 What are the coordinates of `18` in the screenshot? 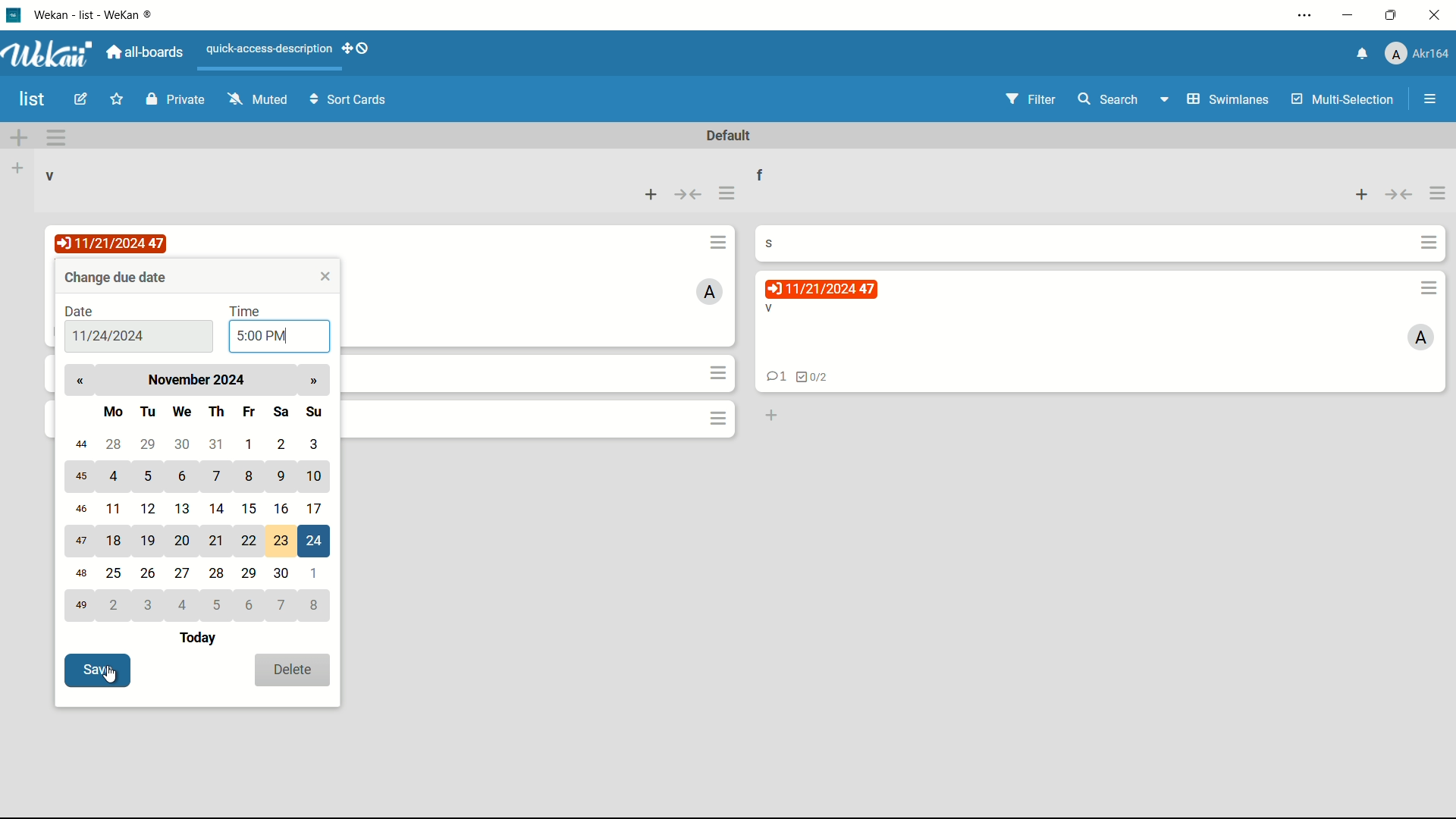 It's located at (115, 542).